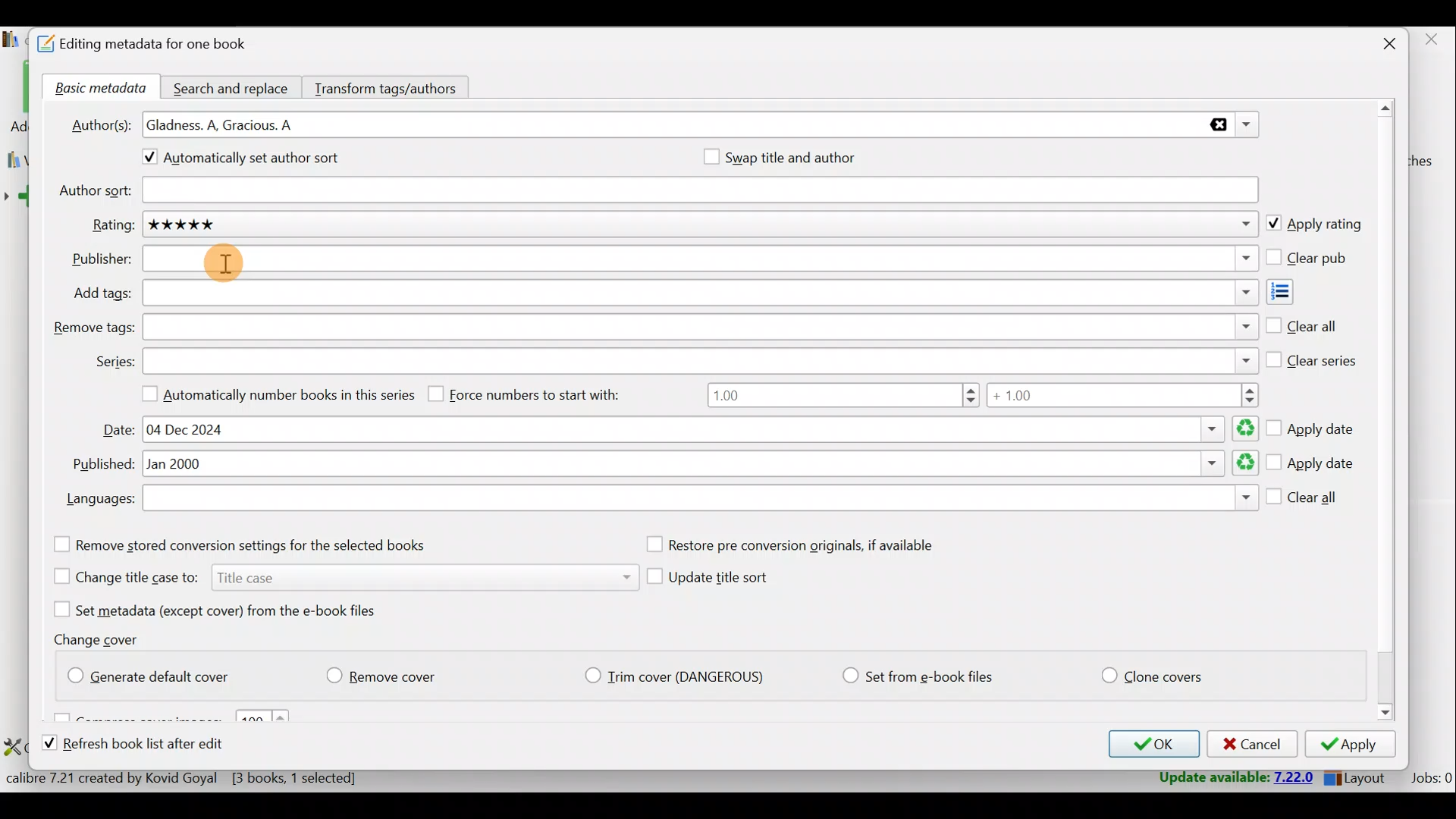 Image resolution: width=1456 pixels, height=819 pixels. I want to click on Remove tags:, so click(93, 328).